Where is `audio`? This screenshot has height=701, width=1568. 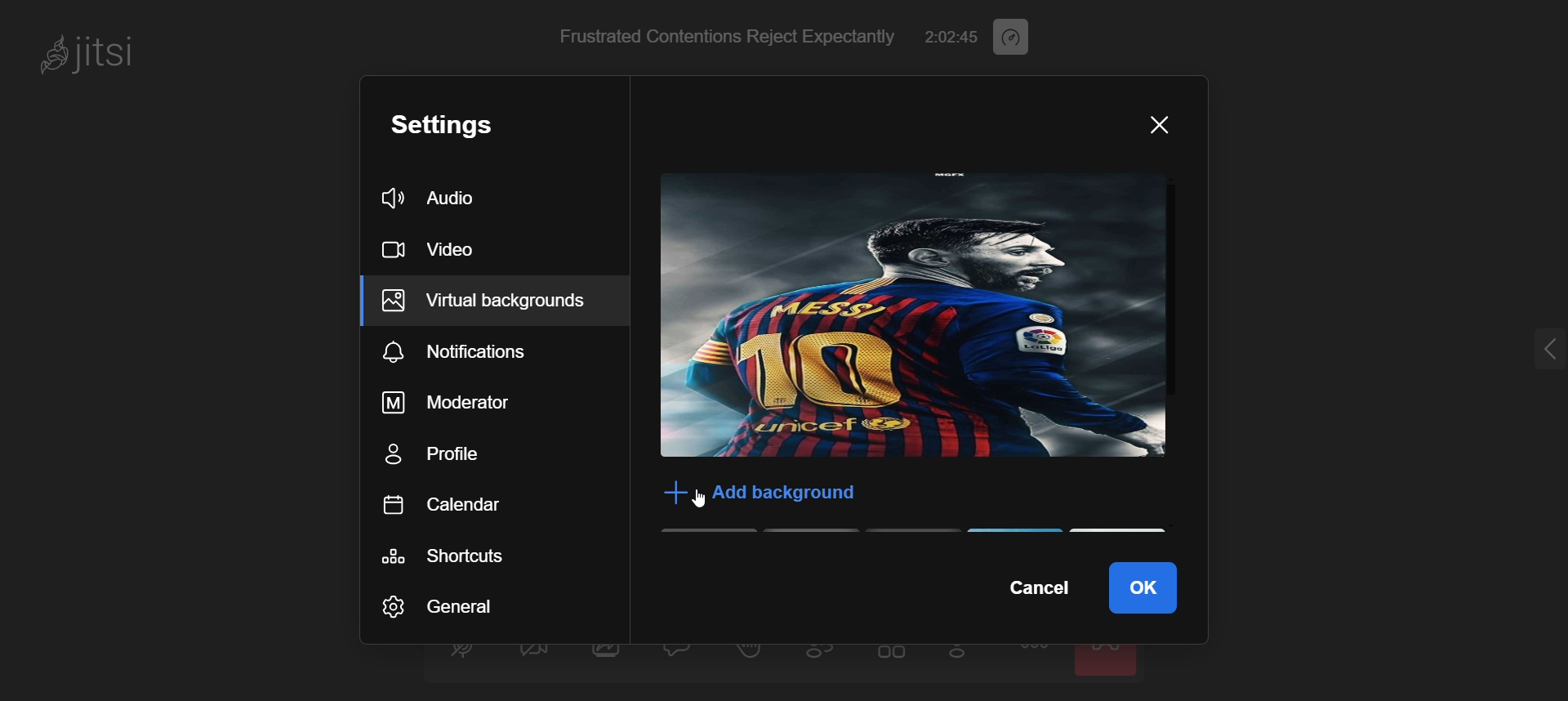 audio is located at coordinates (439, 196).